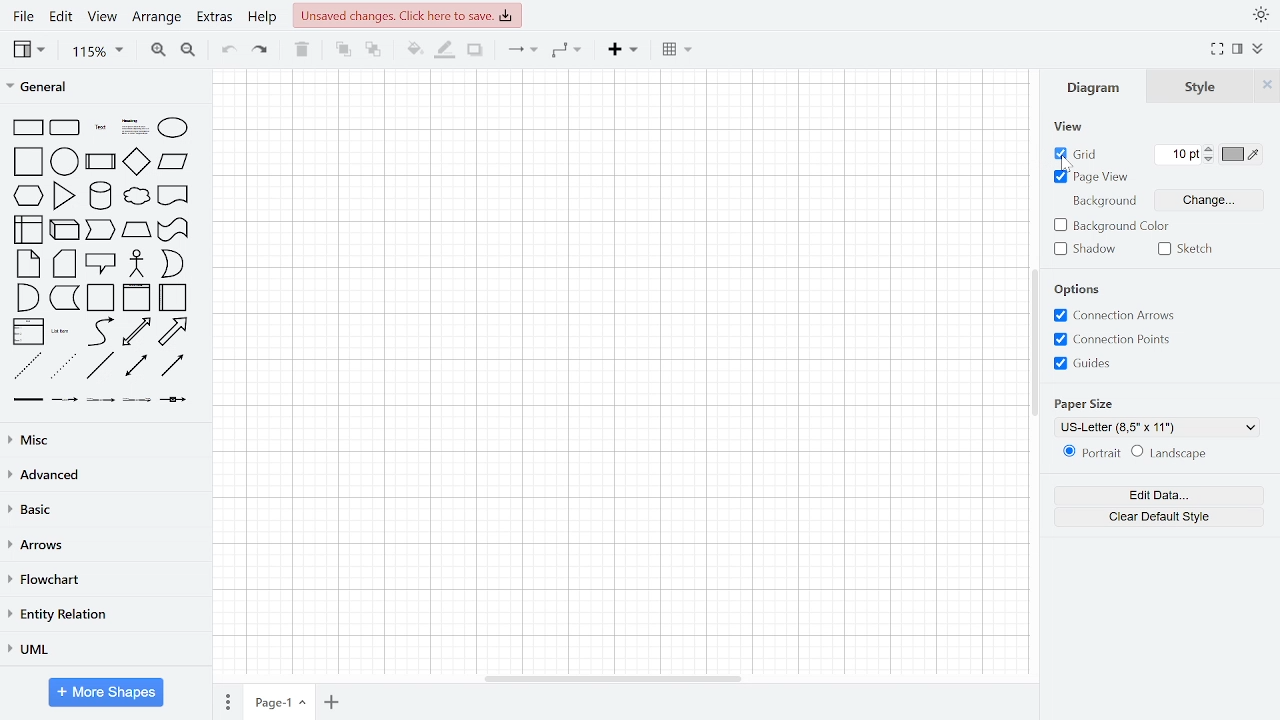 The image size is (1280, 720). Describe the element at coordinates (102, 263) in the screenshot. I see `callout` at that location.